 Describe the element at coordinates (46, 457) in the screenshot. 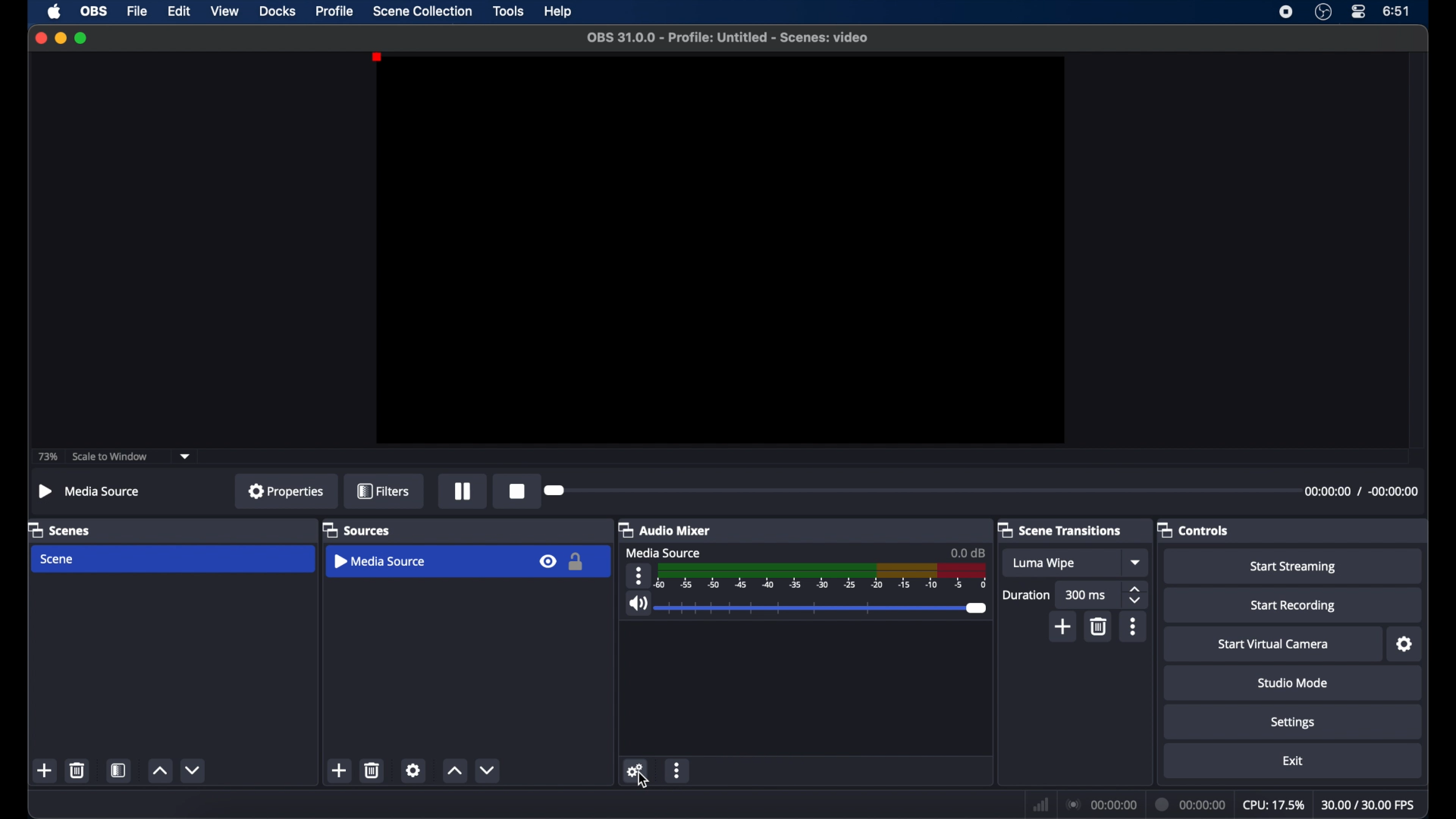

I see `73%` at that location.